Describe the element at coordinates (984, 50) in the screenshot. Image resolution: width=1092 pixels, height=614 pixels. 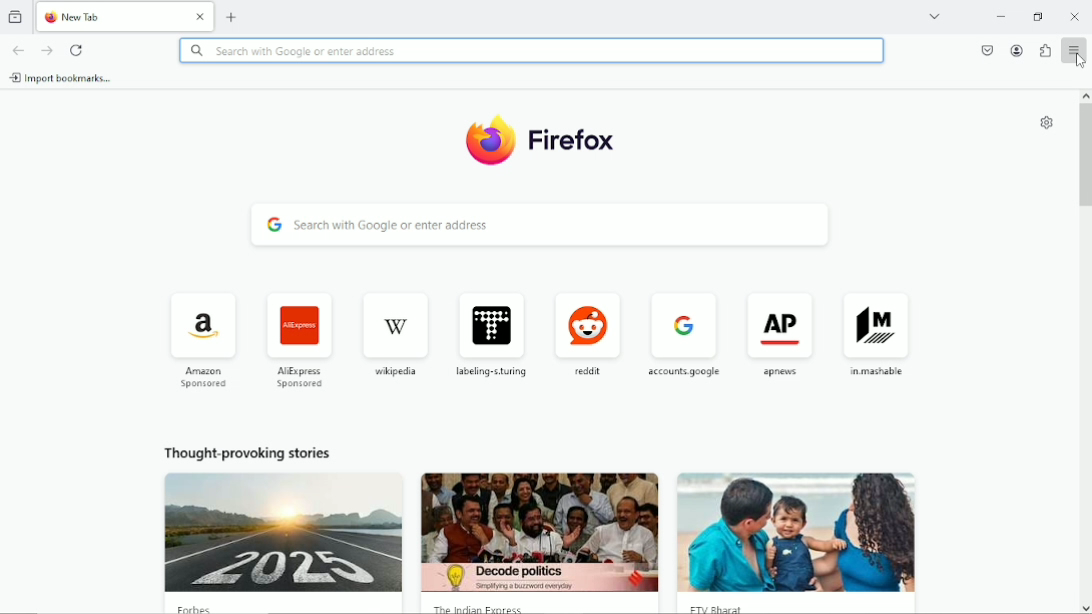
I see `save to pocket` at that location.